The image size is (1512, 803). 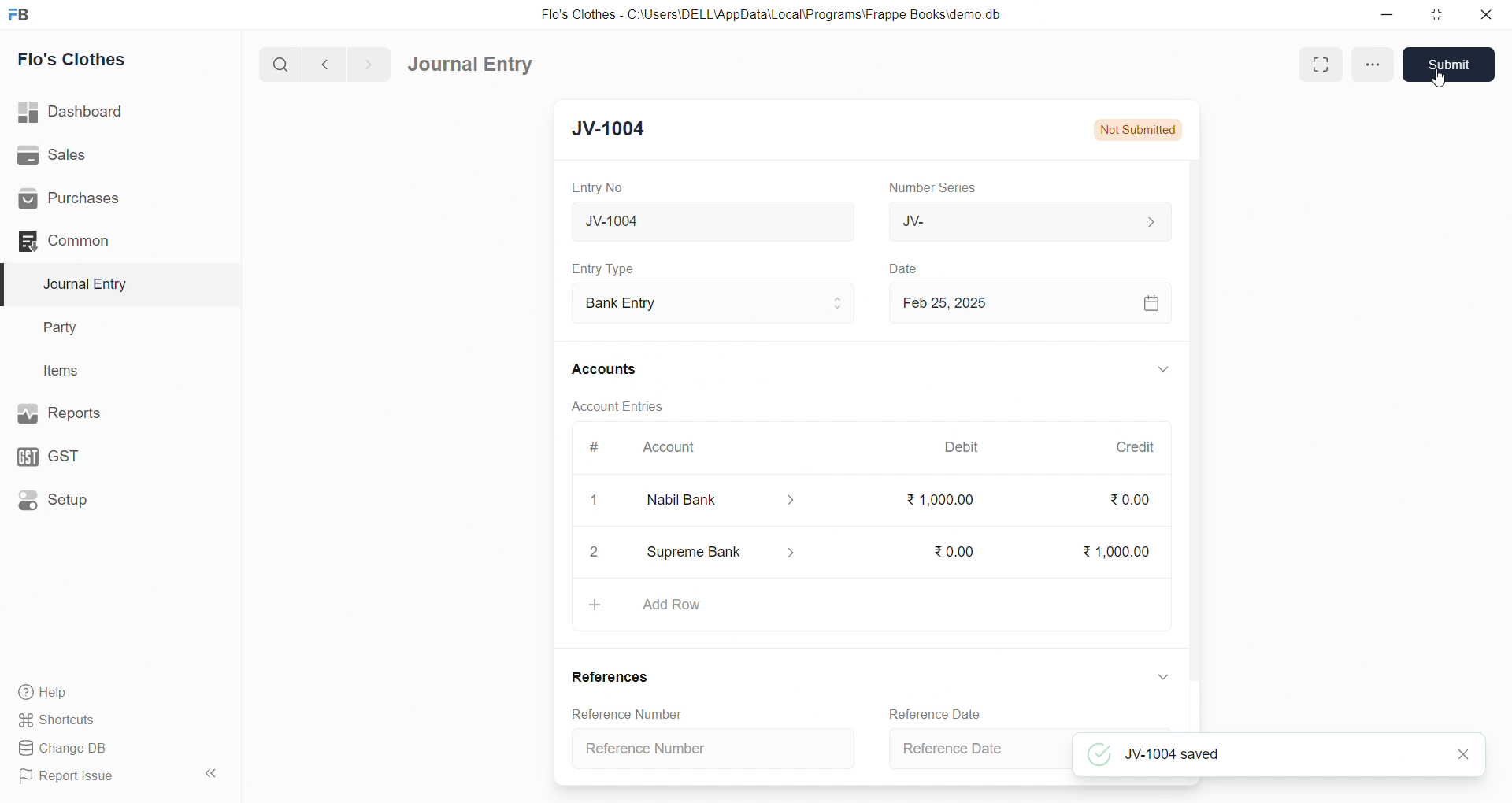 What do you see at coordinates (953, 549) in the screenshot?
I see `₹ 0.00` at bounding box center [953, 549].